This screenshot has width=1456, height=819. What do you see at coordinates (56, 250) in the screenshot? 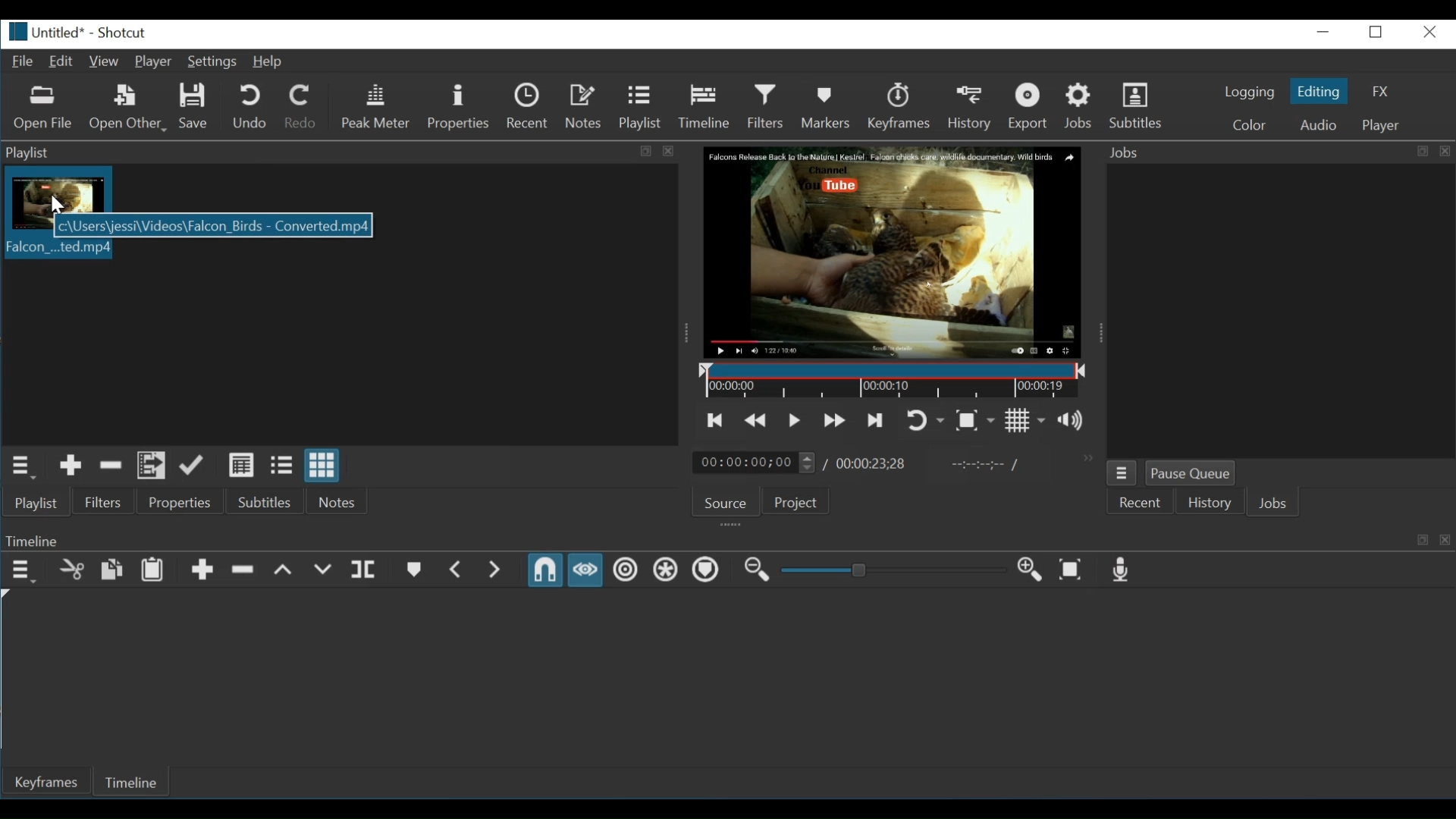
I see `clip thumbnail` at bounding box center [56, 250].